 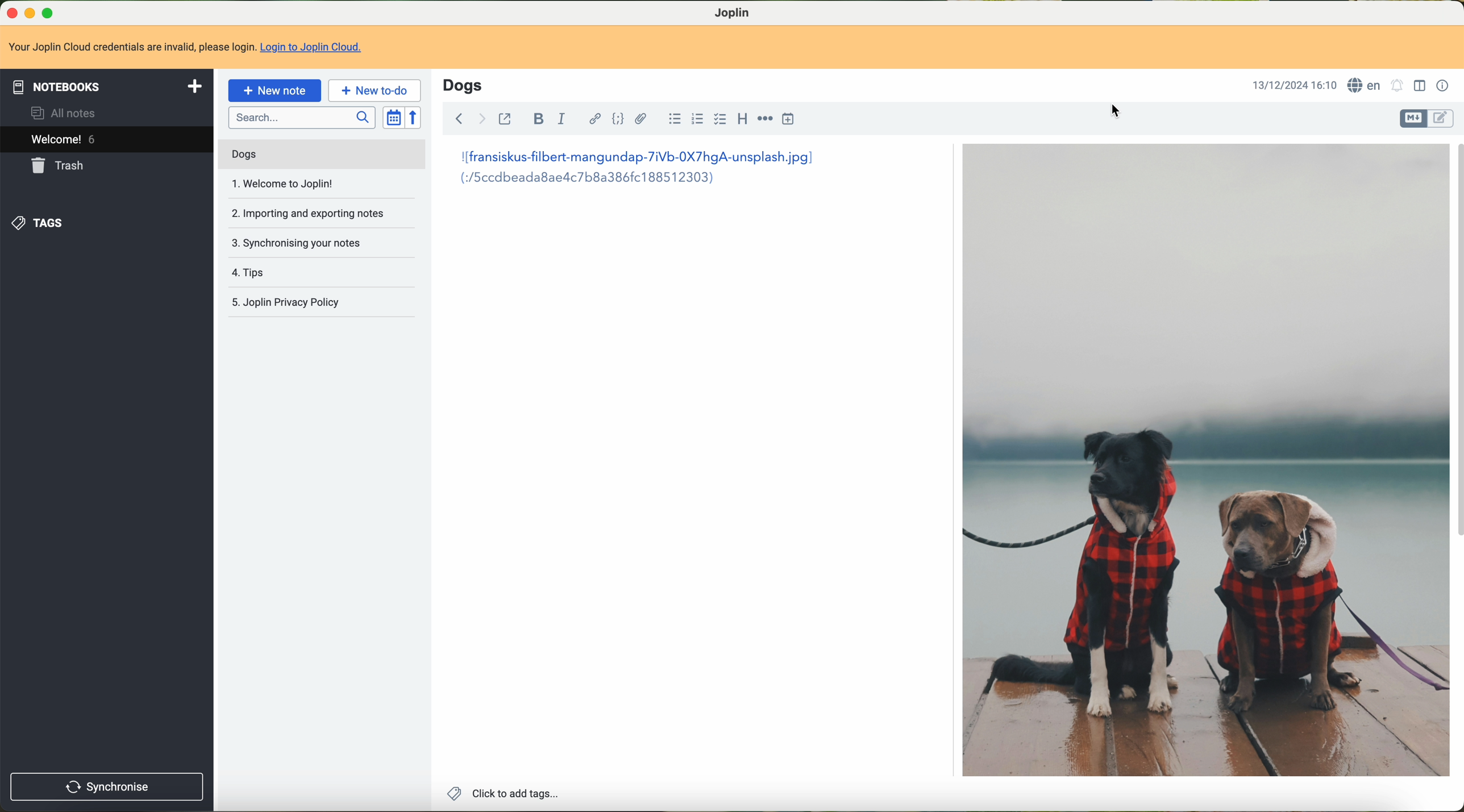 I want to click on Jopin privacy policy, so click(x=291, y=300).